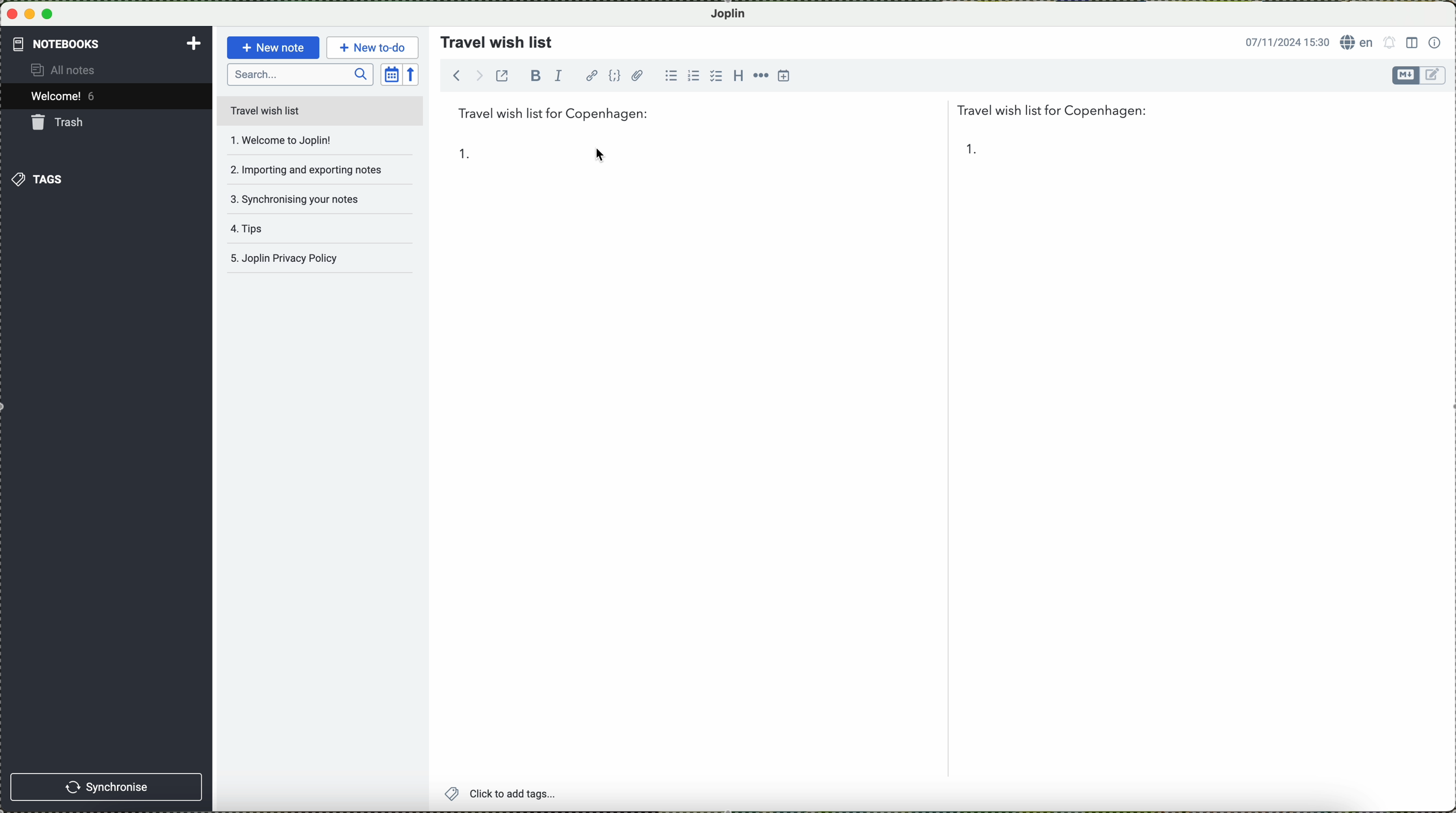 The image size is (1456, 813). What do you see at coordinates (785, 77) in the screenshot?
I see `insert time` at bounding box center [785, 77].